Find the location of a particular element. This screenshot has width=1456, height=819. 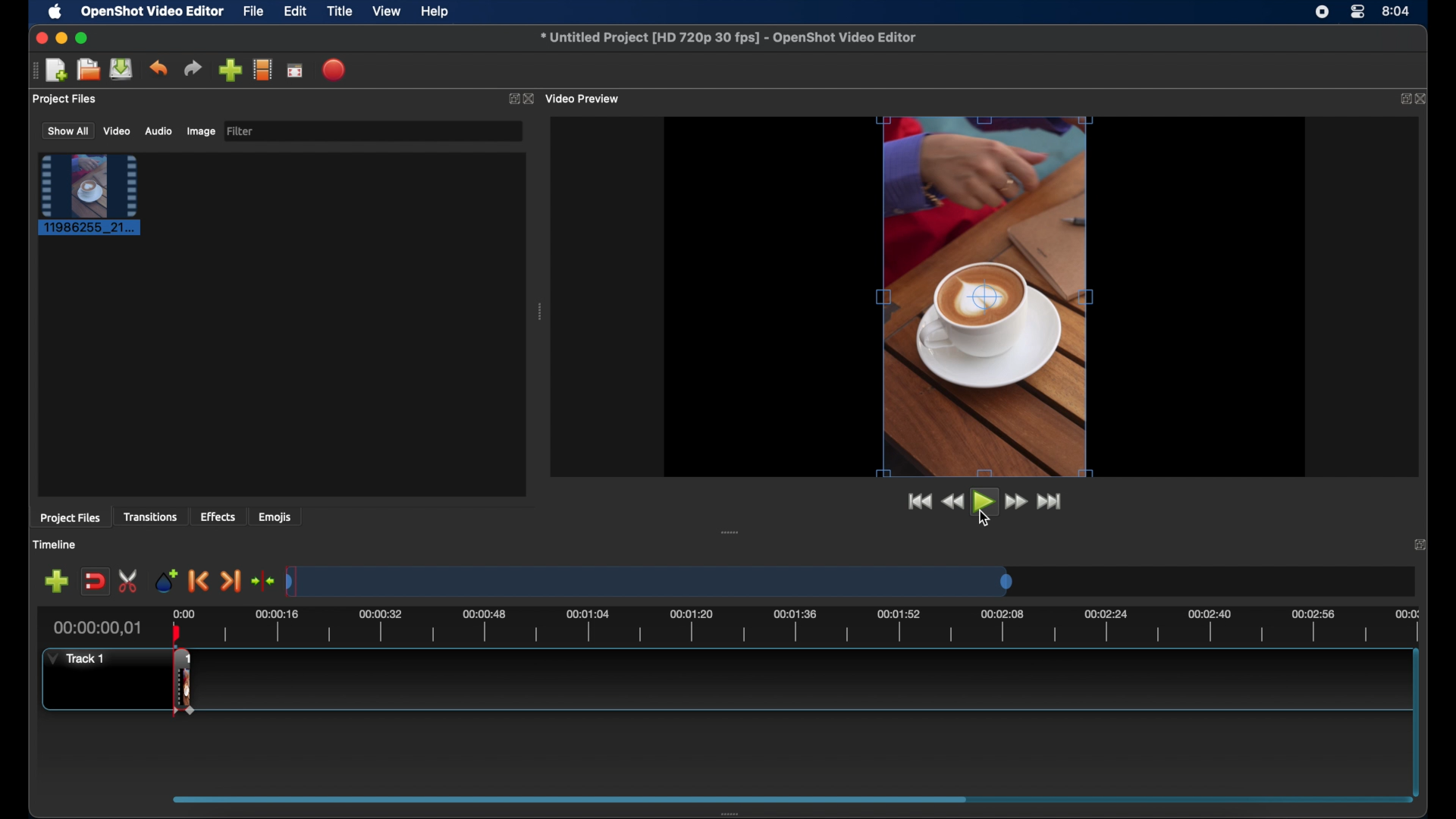

play  is located at coordinates (982, 501).